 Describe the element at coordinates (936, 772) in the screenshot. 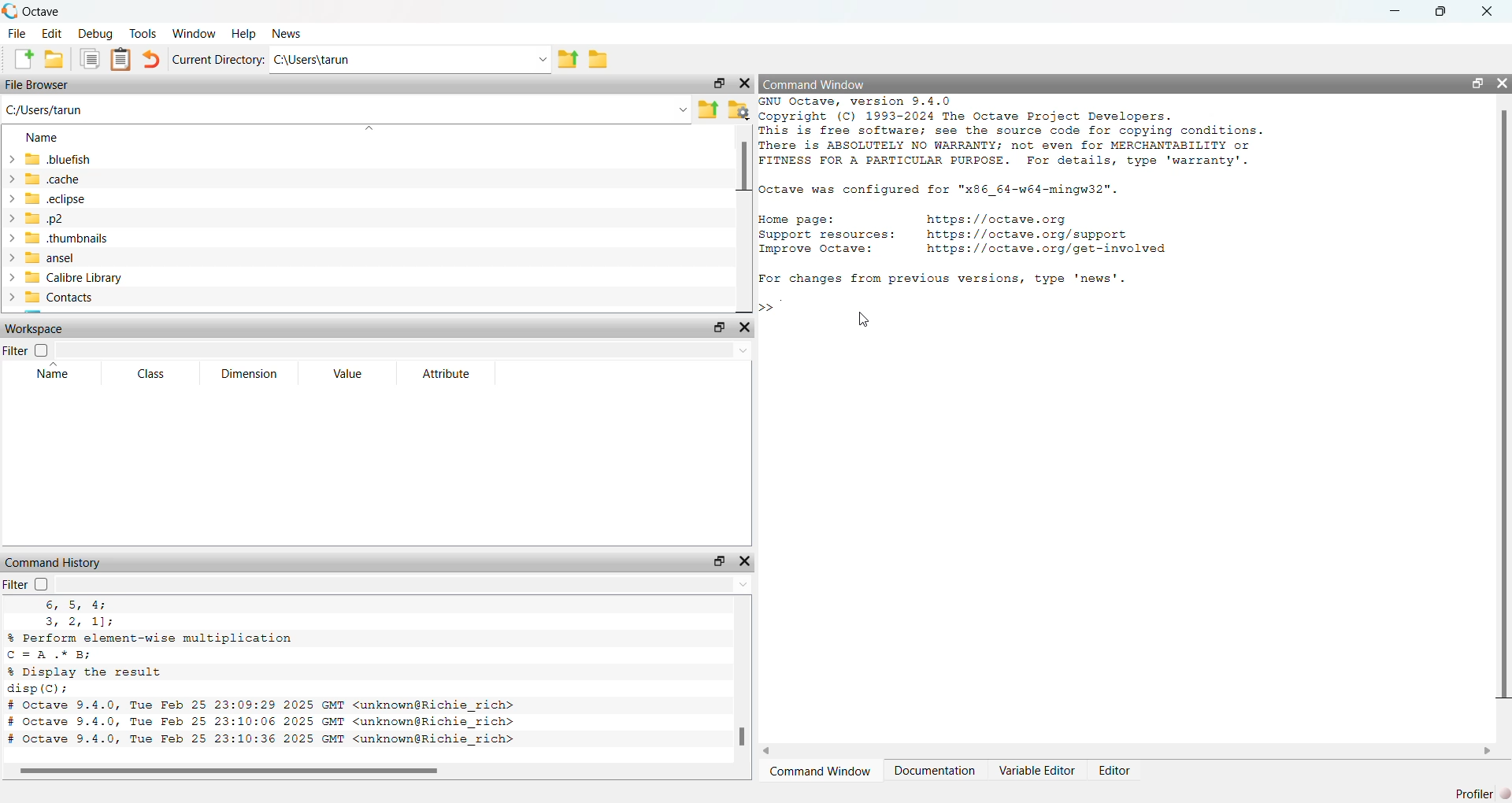

I see `Documentation` at that location.